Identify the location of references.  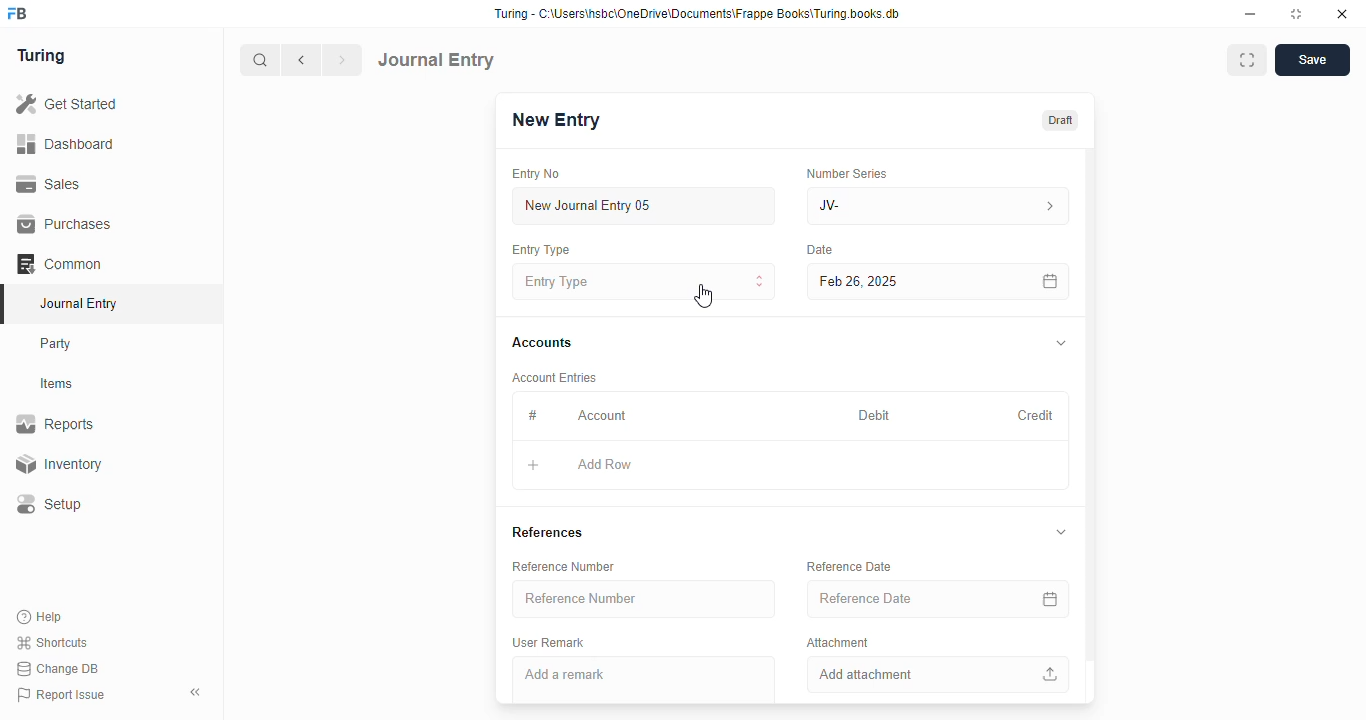
(547, 533).